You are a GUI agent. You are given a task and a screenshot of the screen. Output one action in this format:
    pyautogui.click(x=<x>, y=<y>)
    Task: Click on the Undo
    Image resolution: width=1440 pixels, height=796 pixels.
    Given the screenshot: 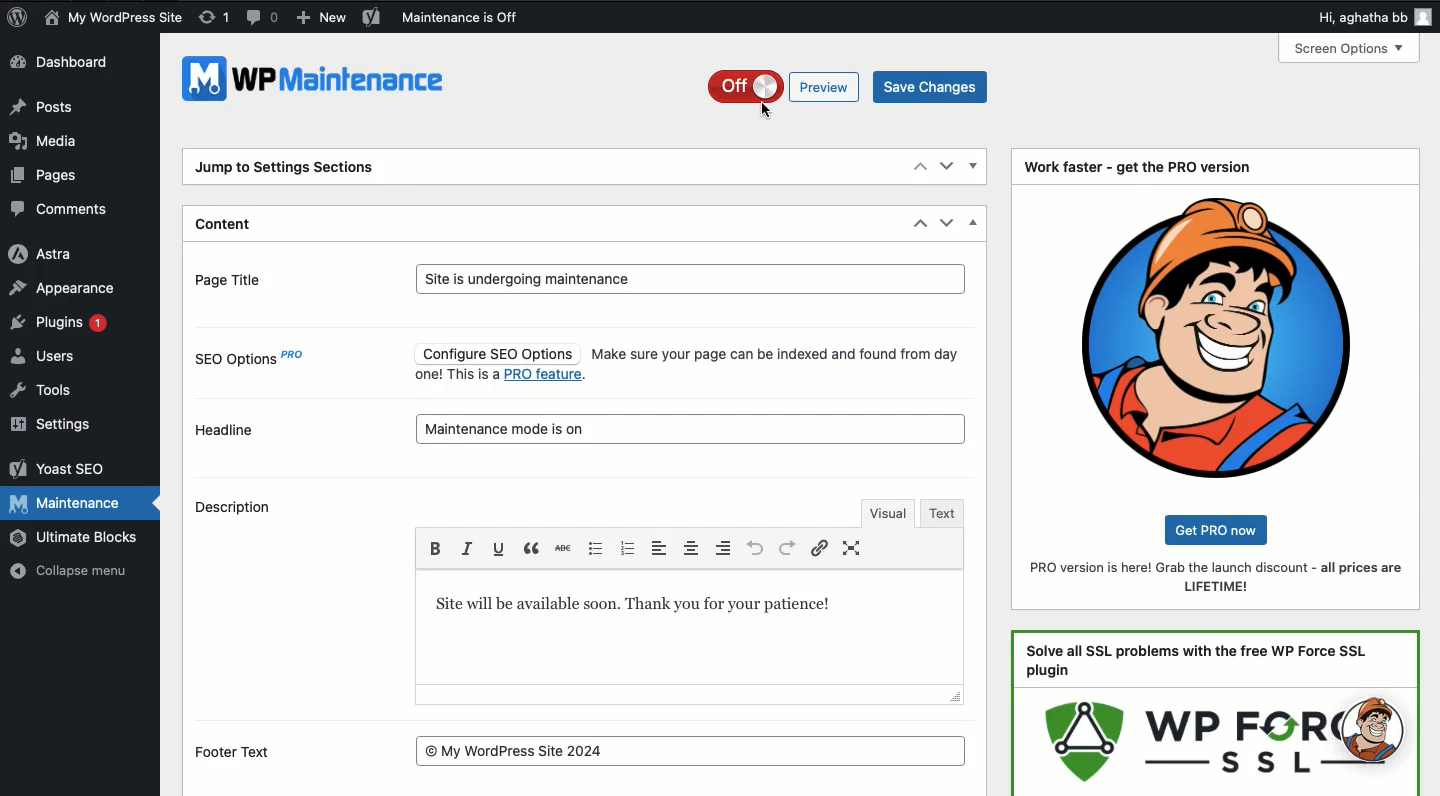 What is the action you would take?
    pyautogui.click(x=755, y=548)
    